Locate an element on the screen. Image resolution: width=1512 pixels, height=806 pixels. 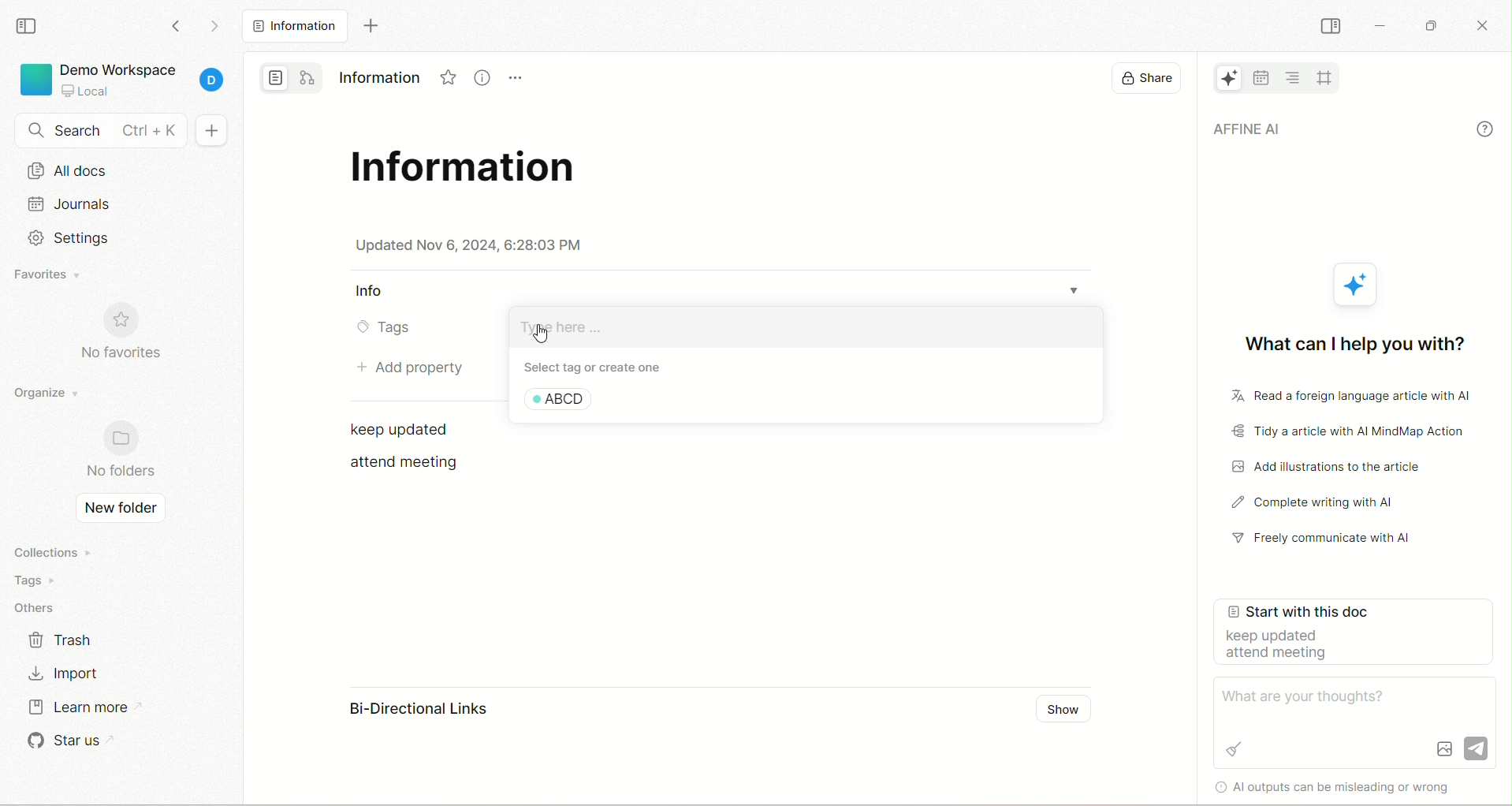
freely communicate with AI is located at coordinates (1330, 542).